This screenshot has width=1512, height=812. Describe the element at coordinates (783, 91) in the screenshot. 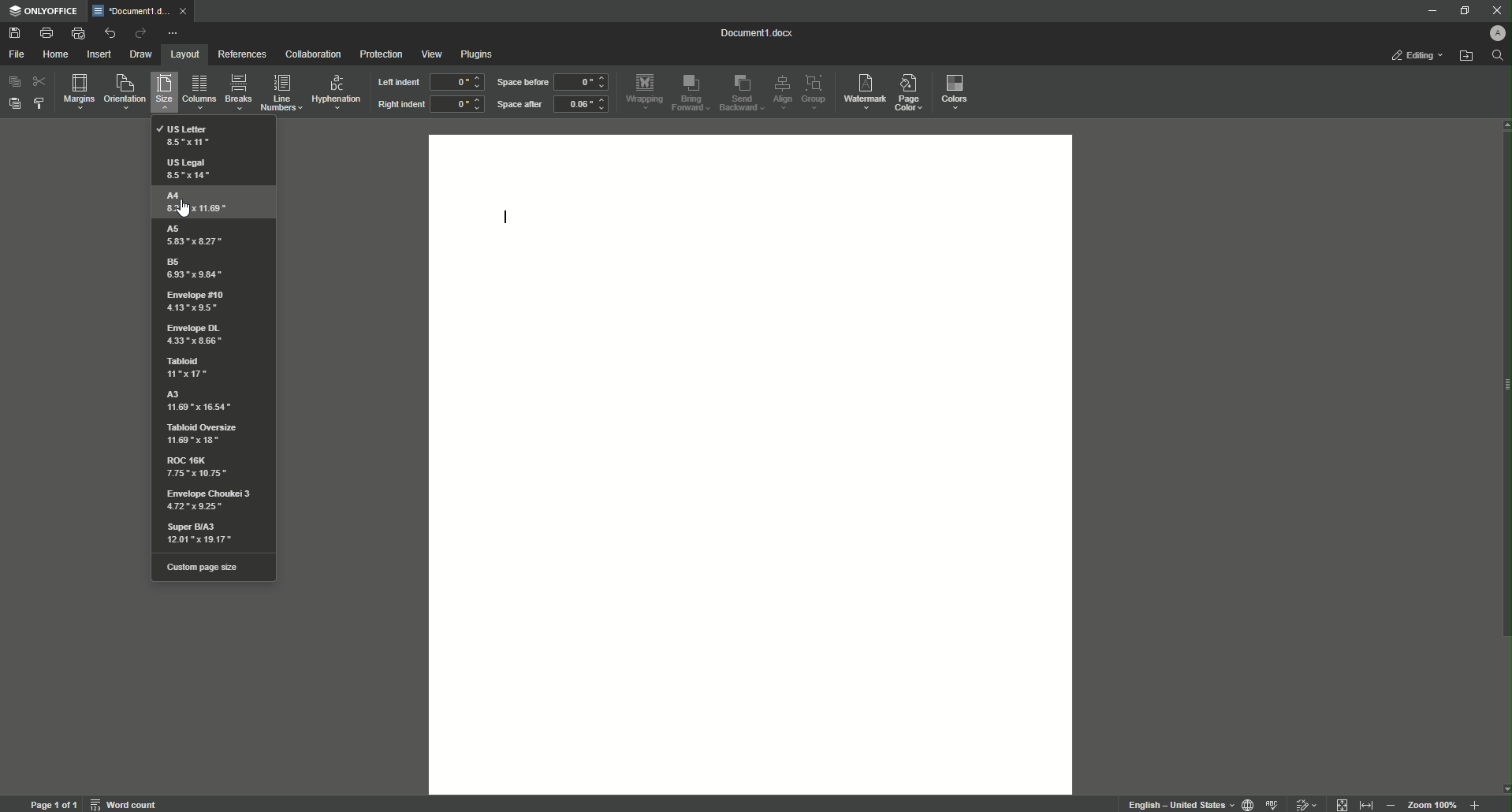

I see `Align` at that location.